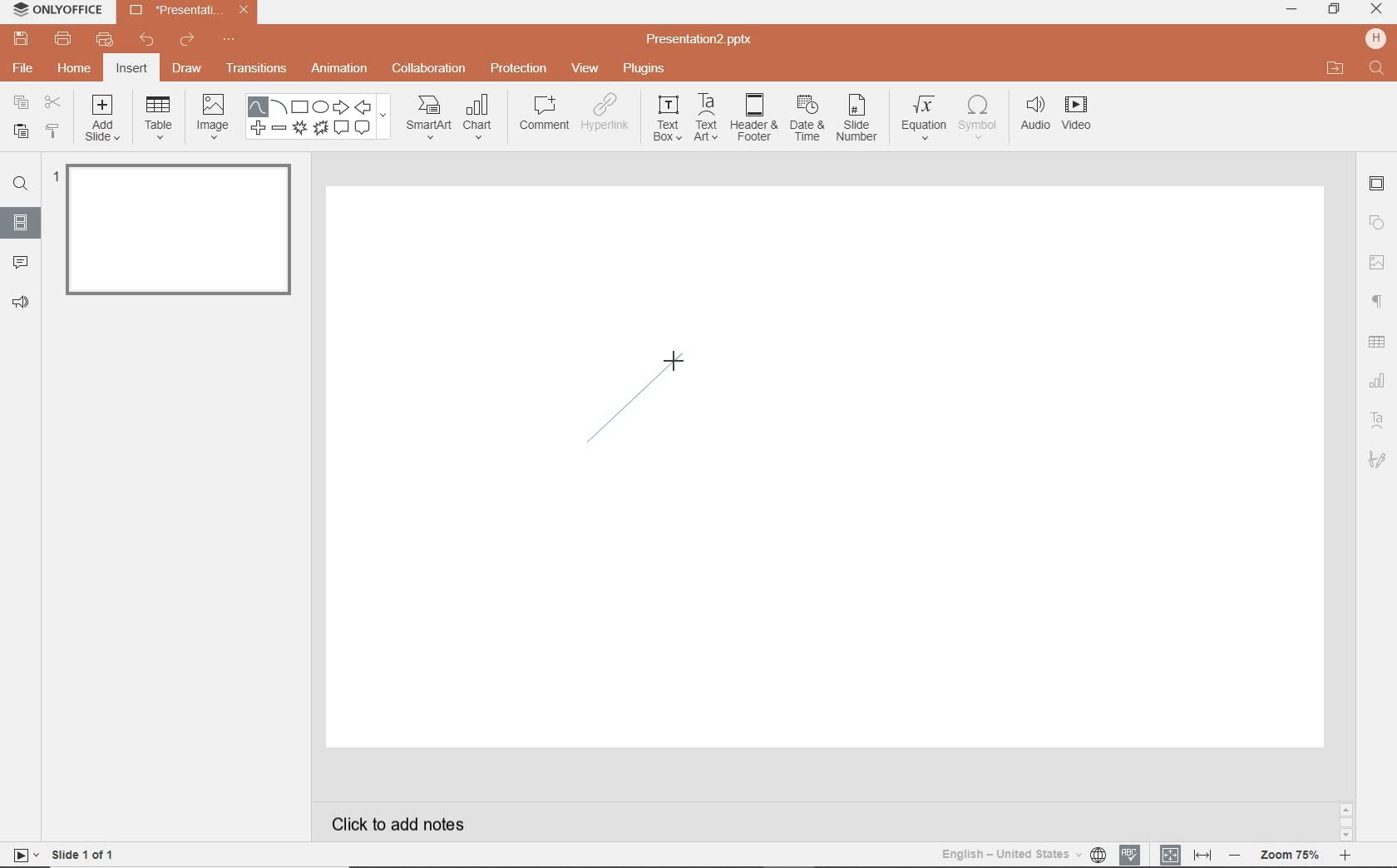  I want to click on HP, so click(1374, 37).